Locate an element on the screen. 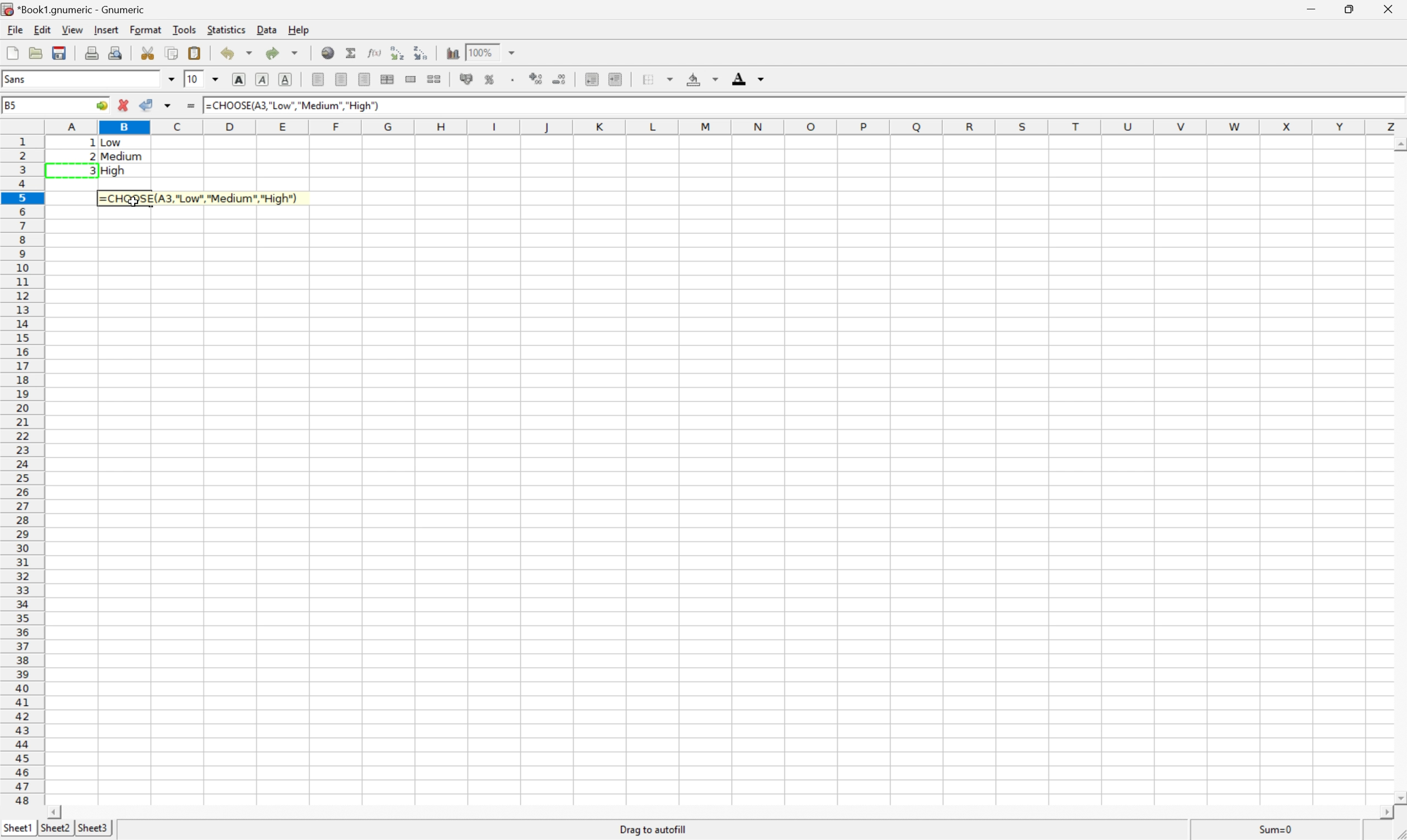 The image size is (1407, 840). Restore Down is located at coordinates (1349, 9).